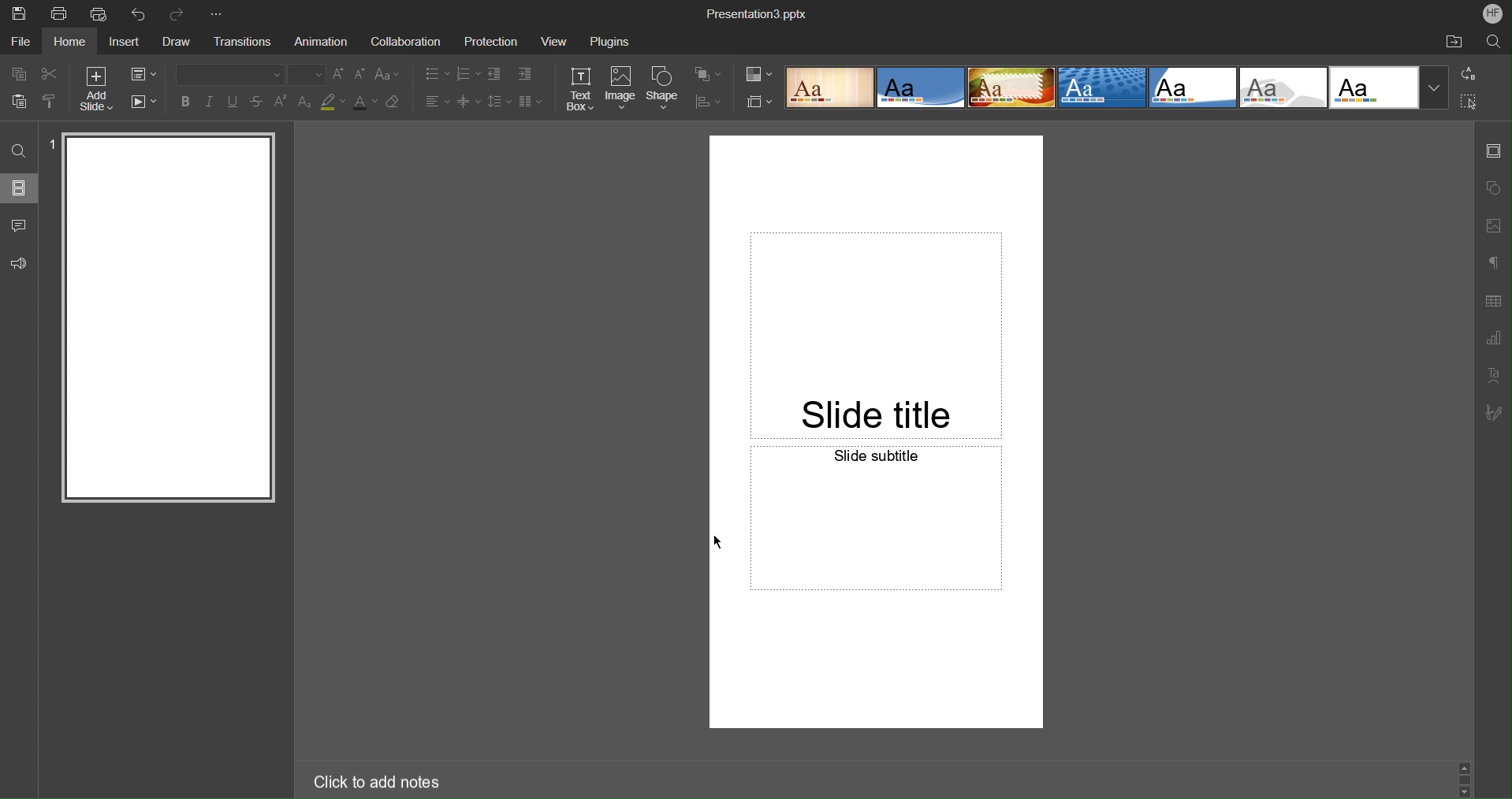 The width and height of the screenshot is (1512, 799). Describe the element at coordinates (16, 73) in the screenshot. I see `Copy` at that location.